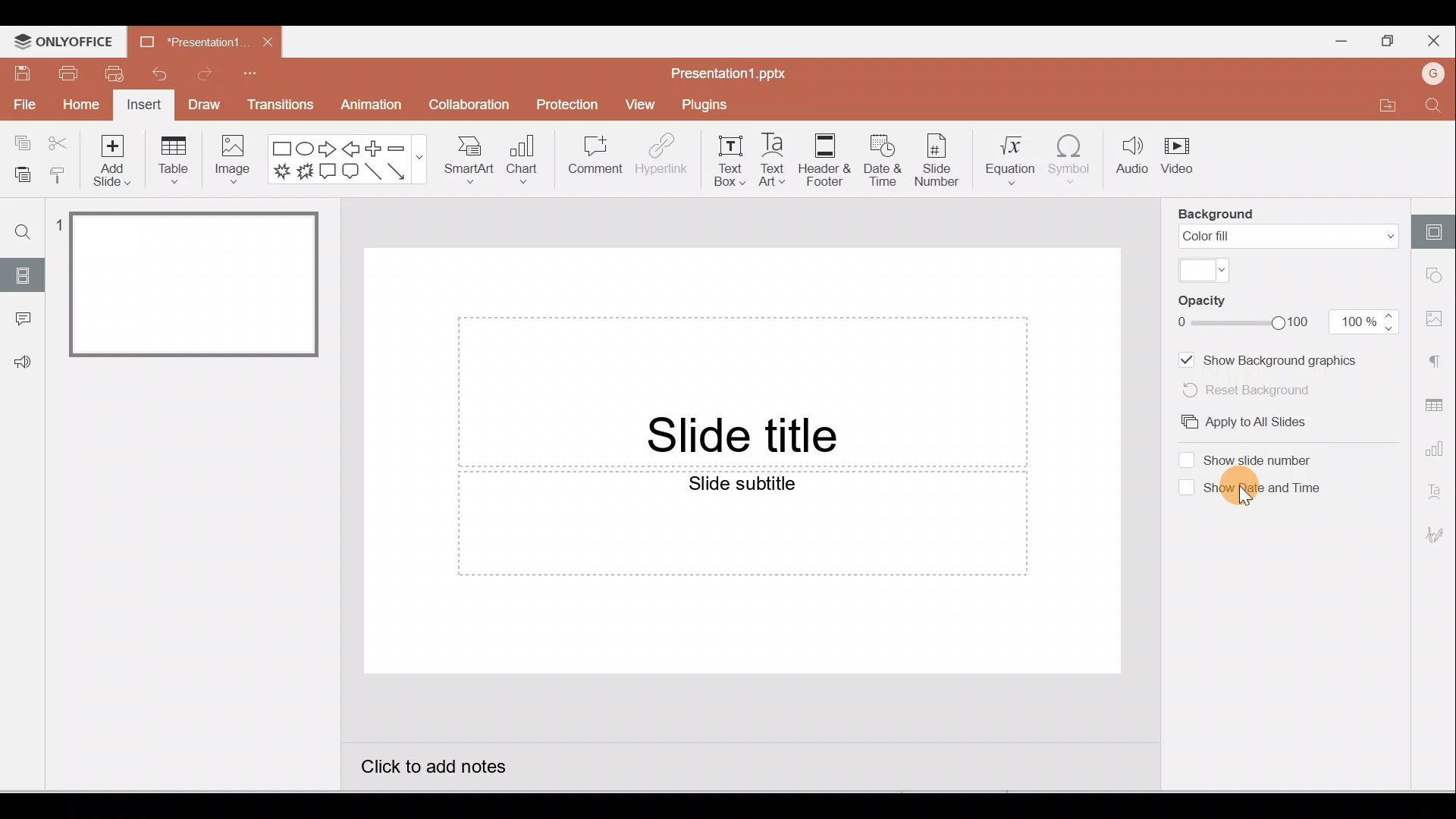 The image size is (1456, 819). What do you see at coordinates (80, 107) in the screenshot?
I see `Home` at bounding box center [80, 107].